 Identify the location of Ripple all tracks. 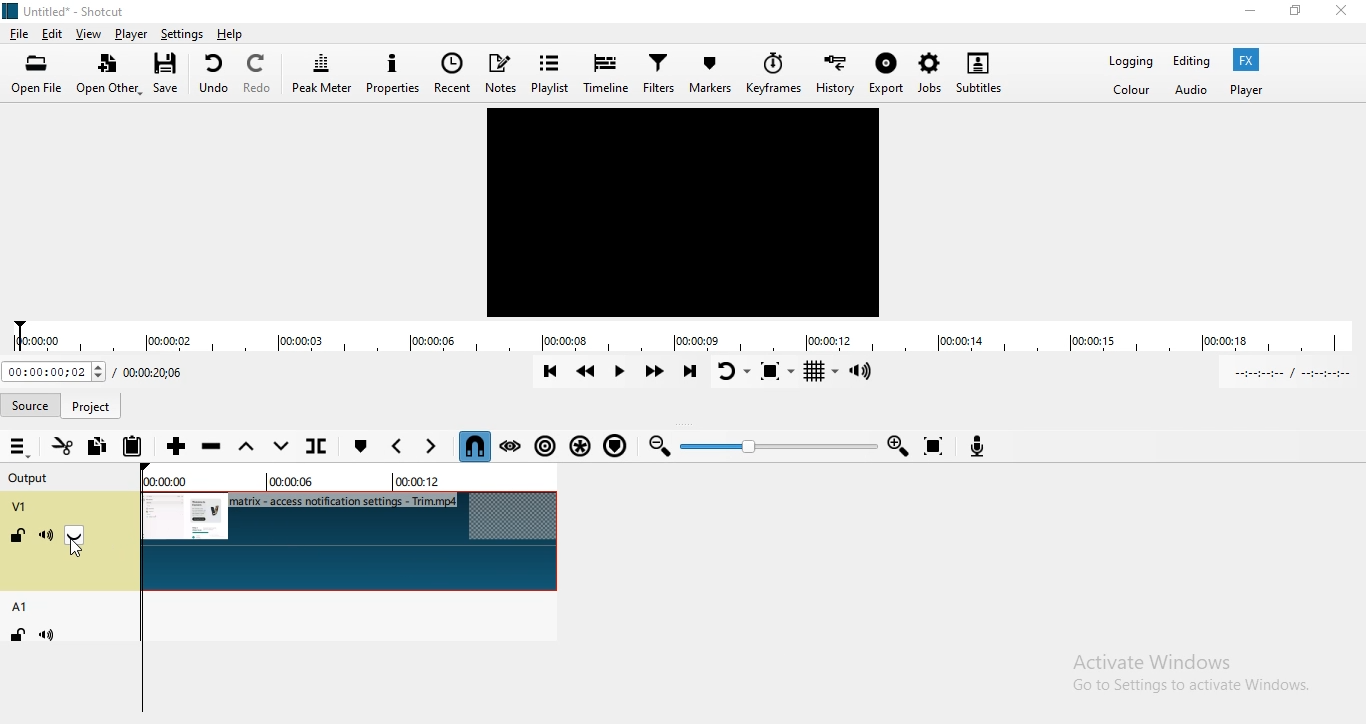
(580, 447).